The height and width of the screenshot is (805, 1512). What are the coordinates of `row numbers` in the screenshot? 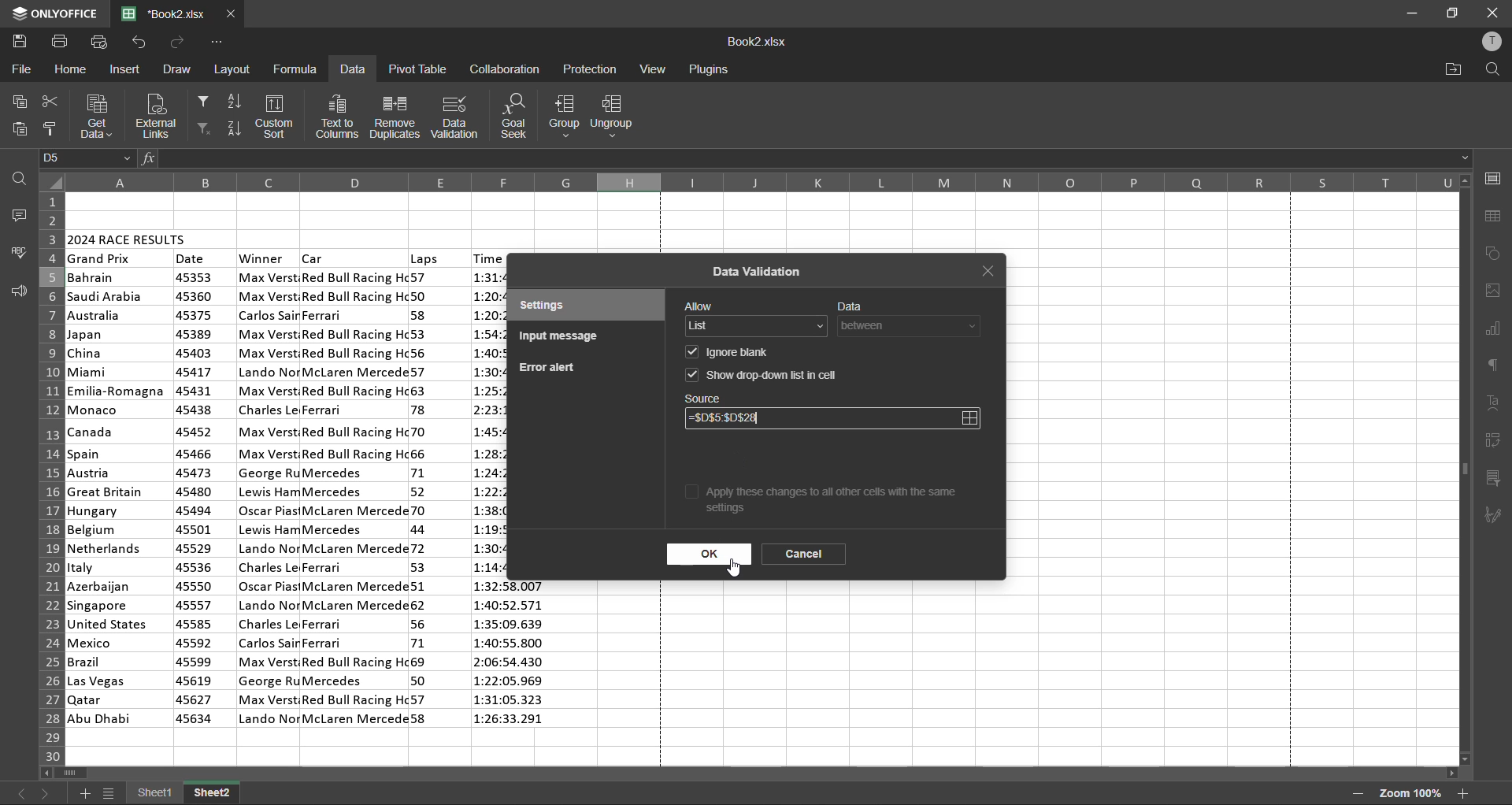 It's located at (48, 476).